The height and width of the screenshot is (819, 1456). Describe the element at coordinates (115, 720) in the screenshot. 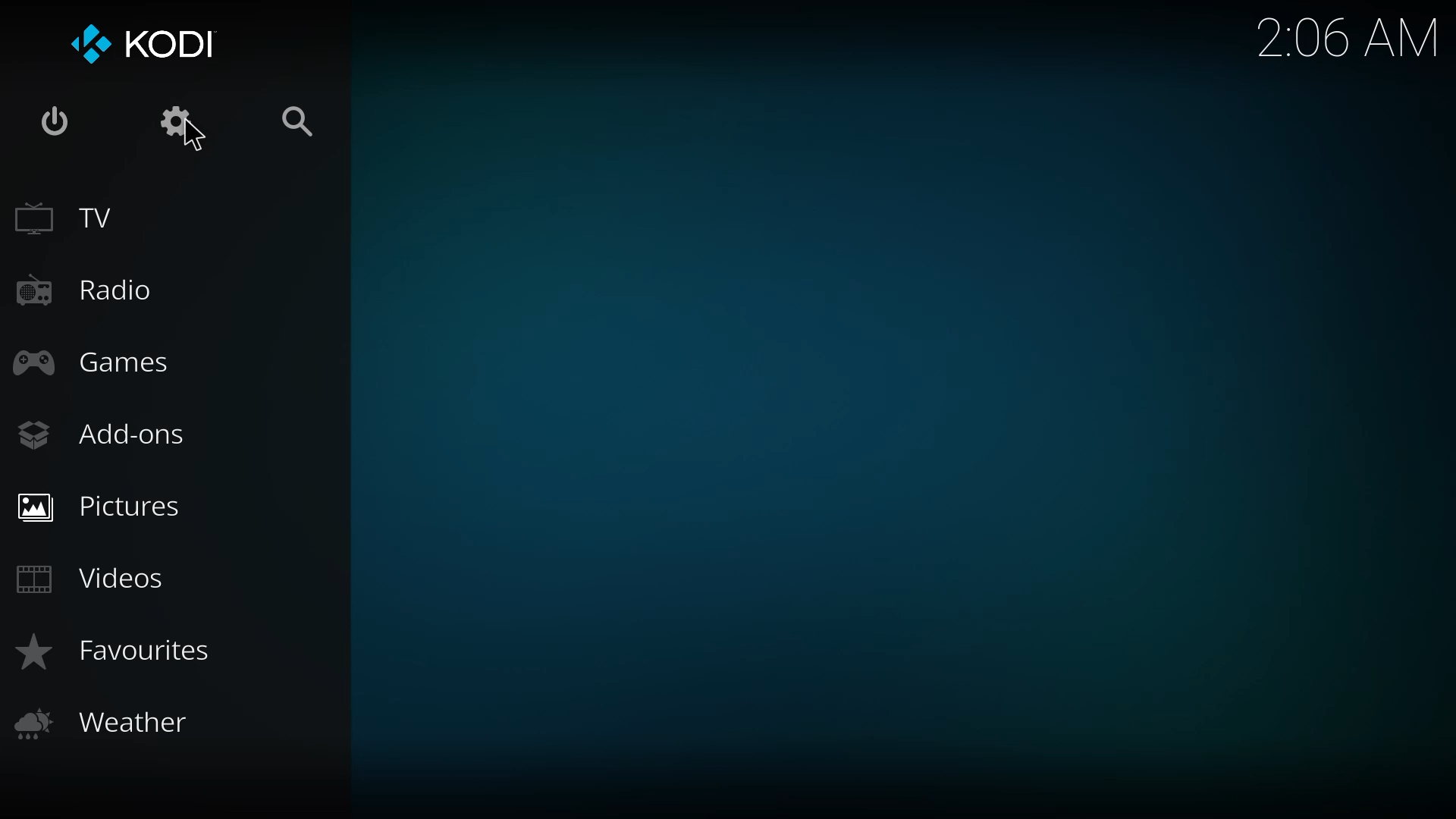

I see `weather` at that location.